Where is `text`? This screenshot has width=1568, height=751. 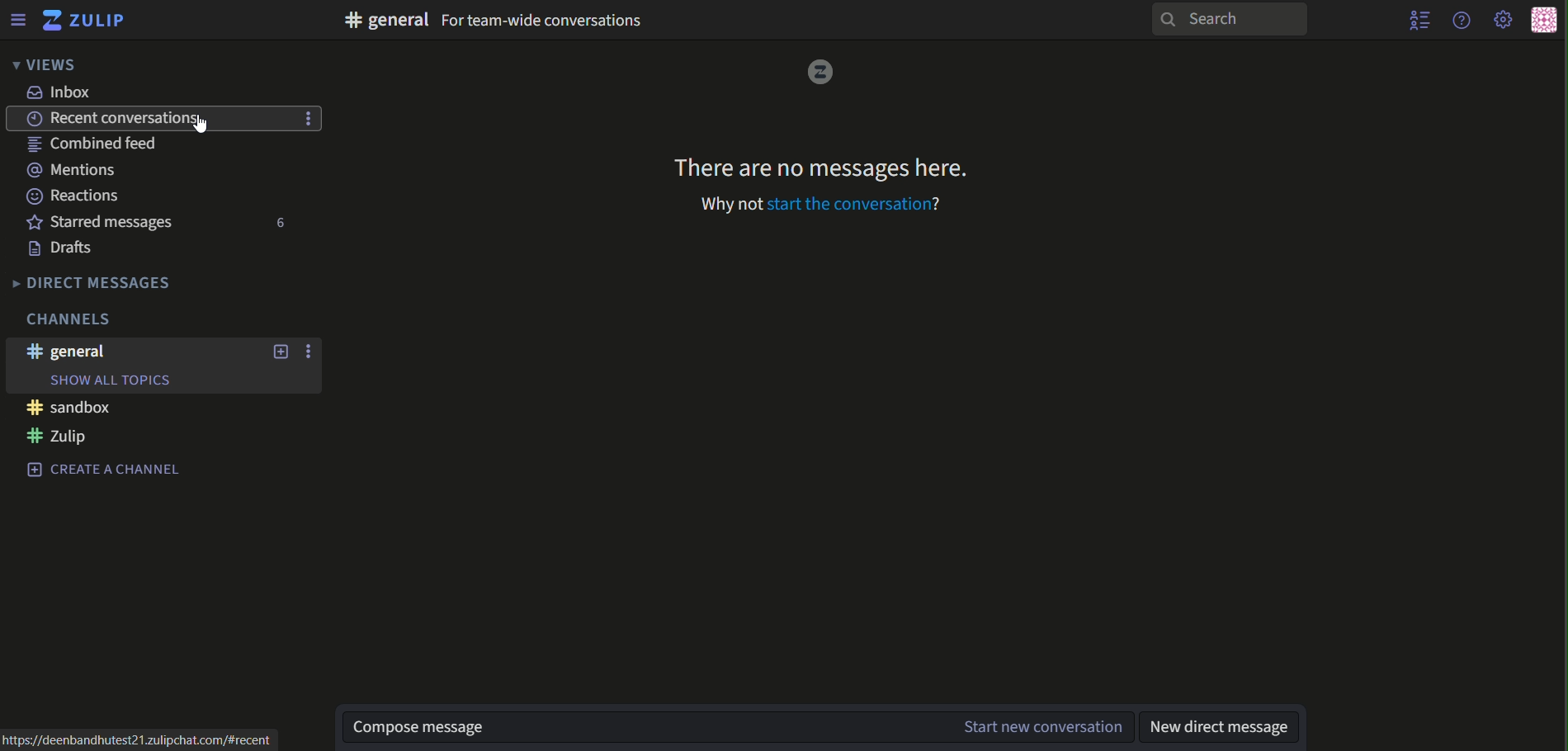
text is located at coordinates (143, 741).